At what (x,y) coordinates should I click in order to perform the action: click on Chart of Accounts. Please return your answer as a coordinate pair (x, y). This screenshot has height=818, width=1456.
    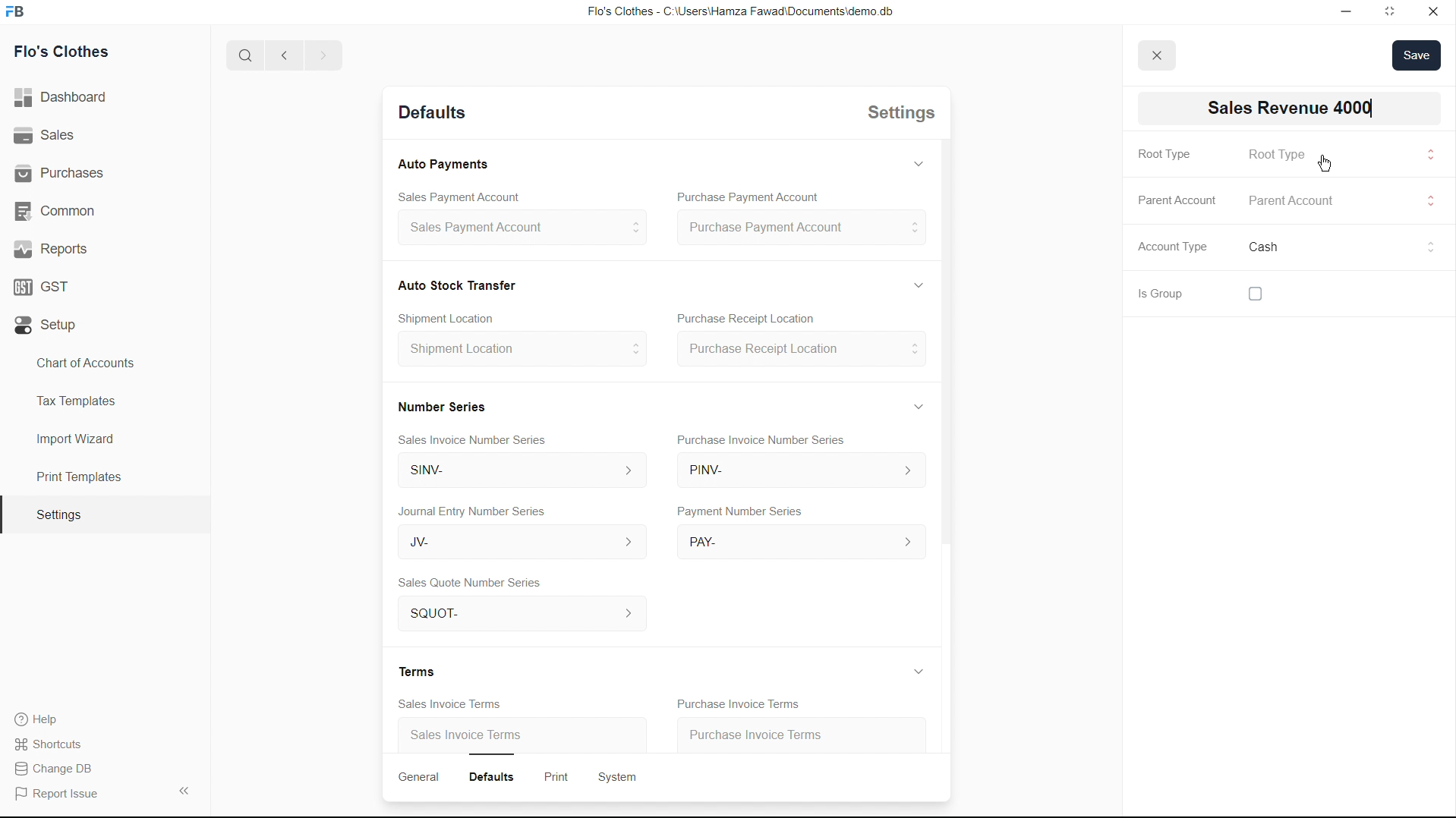
    Looking at the image, I should click on (81, 363).